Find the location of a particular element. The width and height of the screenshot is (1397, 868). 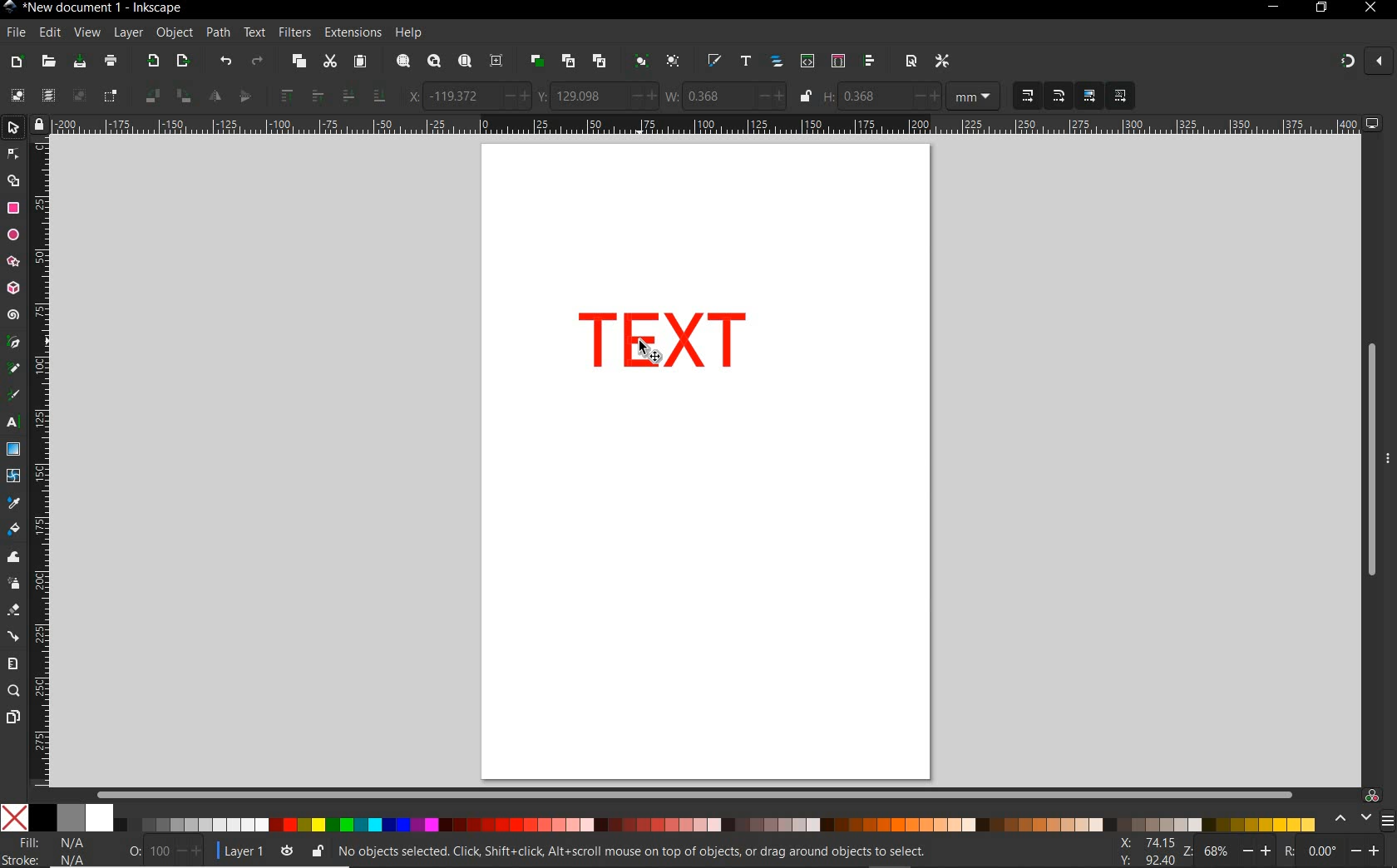

CREATE CLONE is located at coordinates (568, 60).